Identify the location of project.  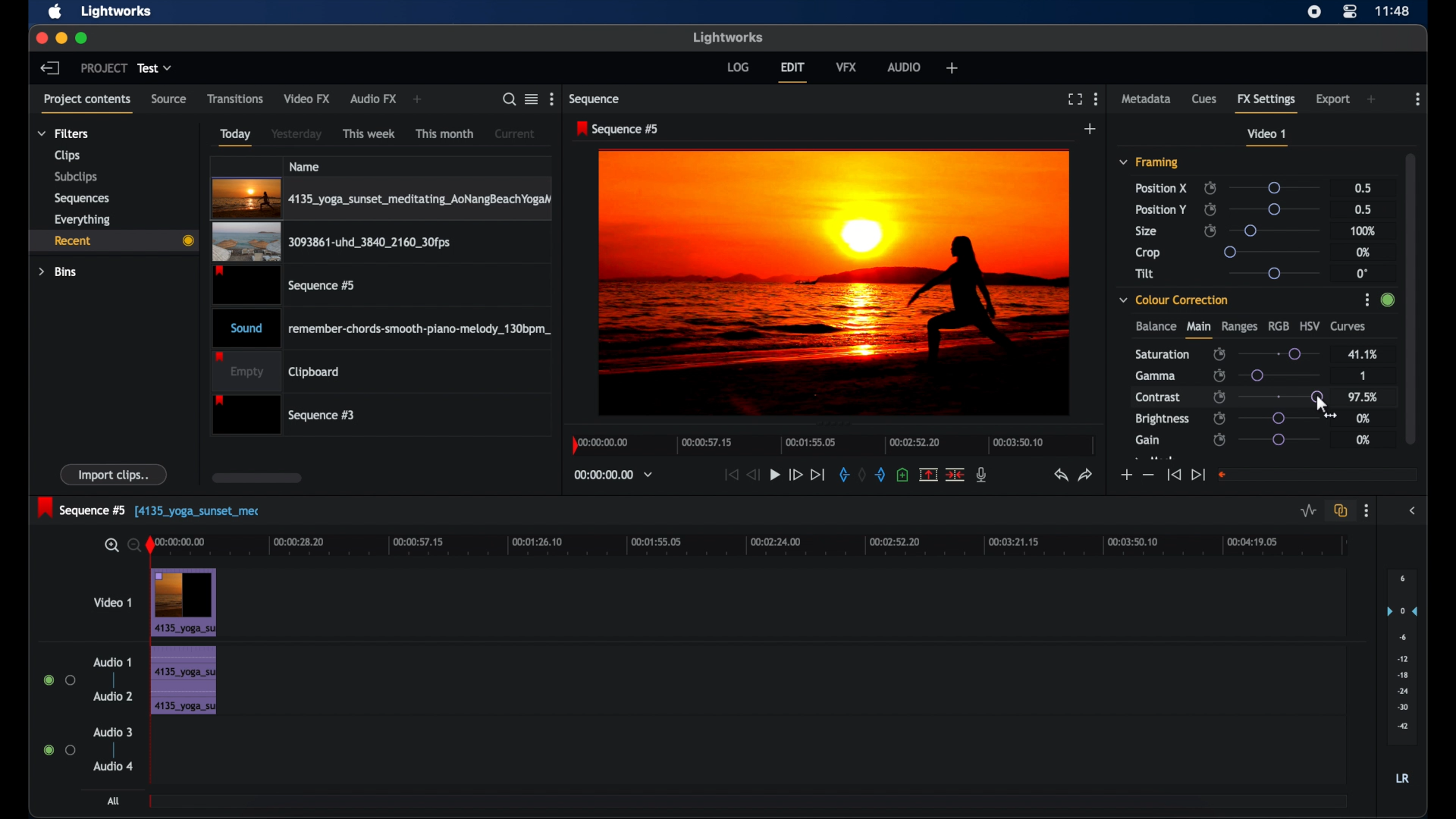
(104, 68).